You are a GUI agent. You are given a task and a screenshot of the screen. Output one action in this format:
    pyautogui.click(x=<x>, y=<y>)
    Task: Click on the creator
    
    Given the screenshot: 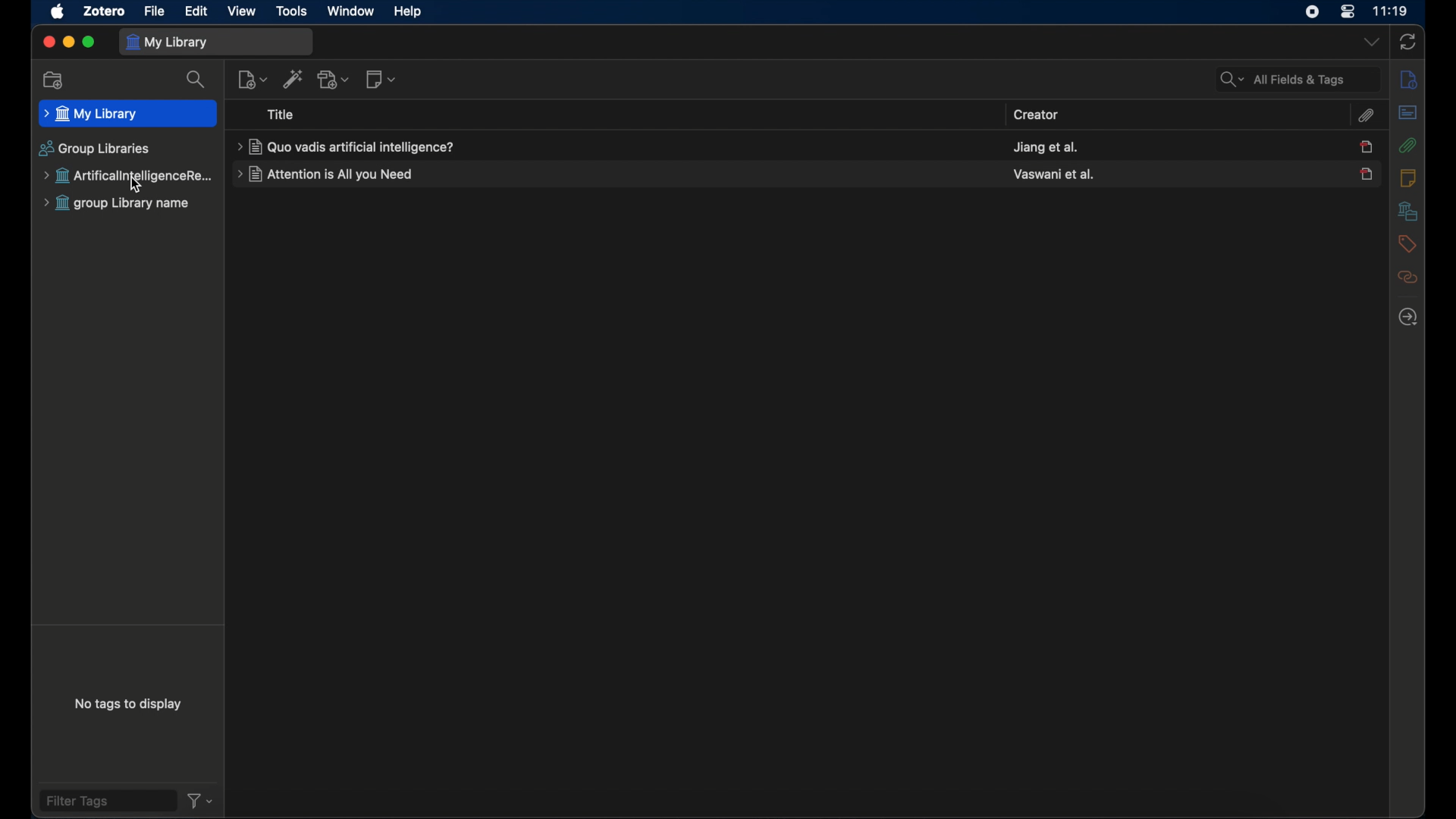 What is the action you would take?
    pyautogui.click(x=1046, y=146)
    